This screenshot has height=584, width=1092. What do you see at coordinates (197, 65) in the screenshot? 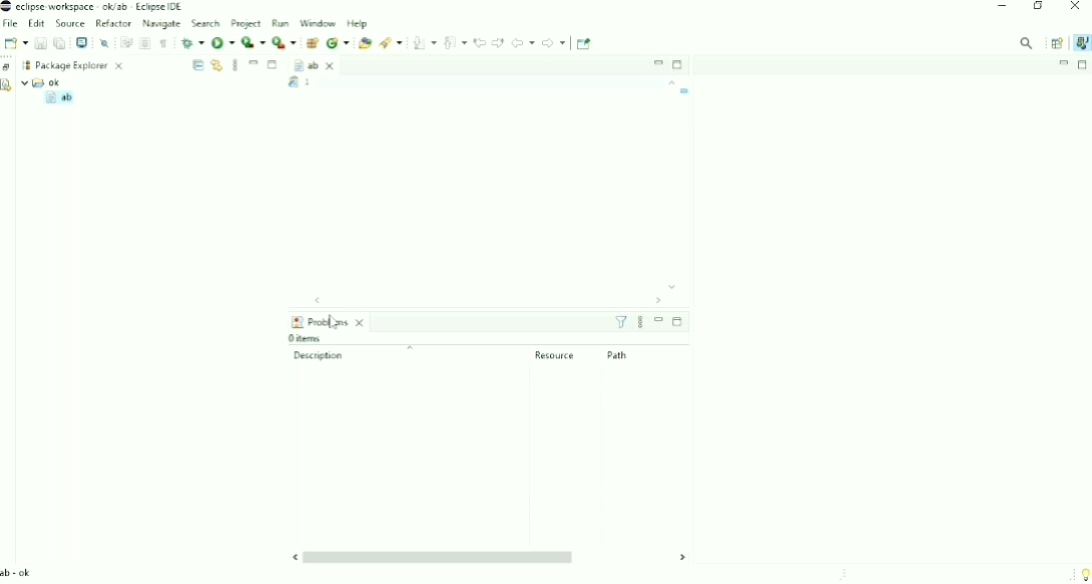
I see `Collapse All` at bounding box center [197, 65].